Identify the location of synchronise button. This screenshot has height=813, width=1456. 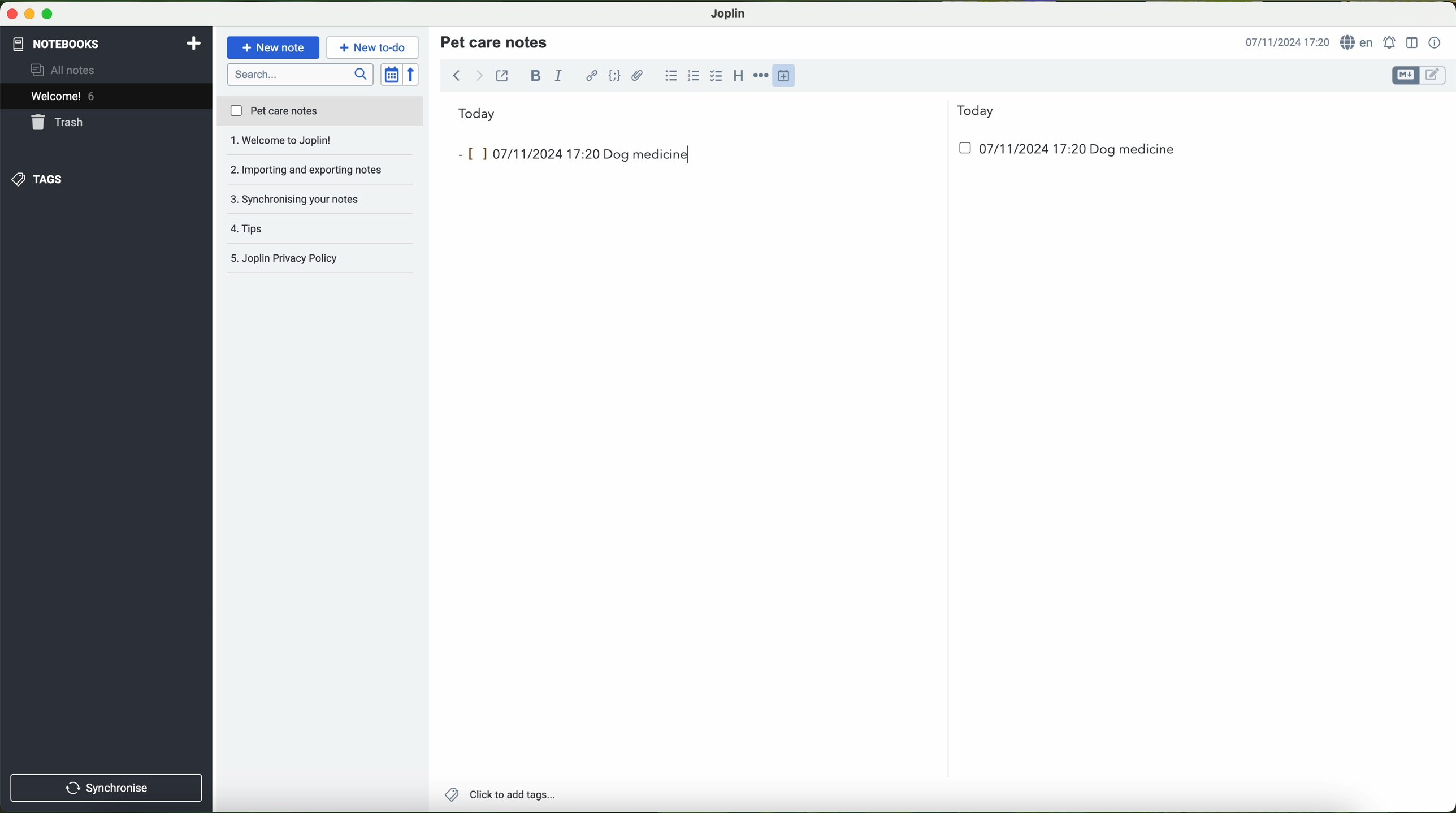
(106, 788).